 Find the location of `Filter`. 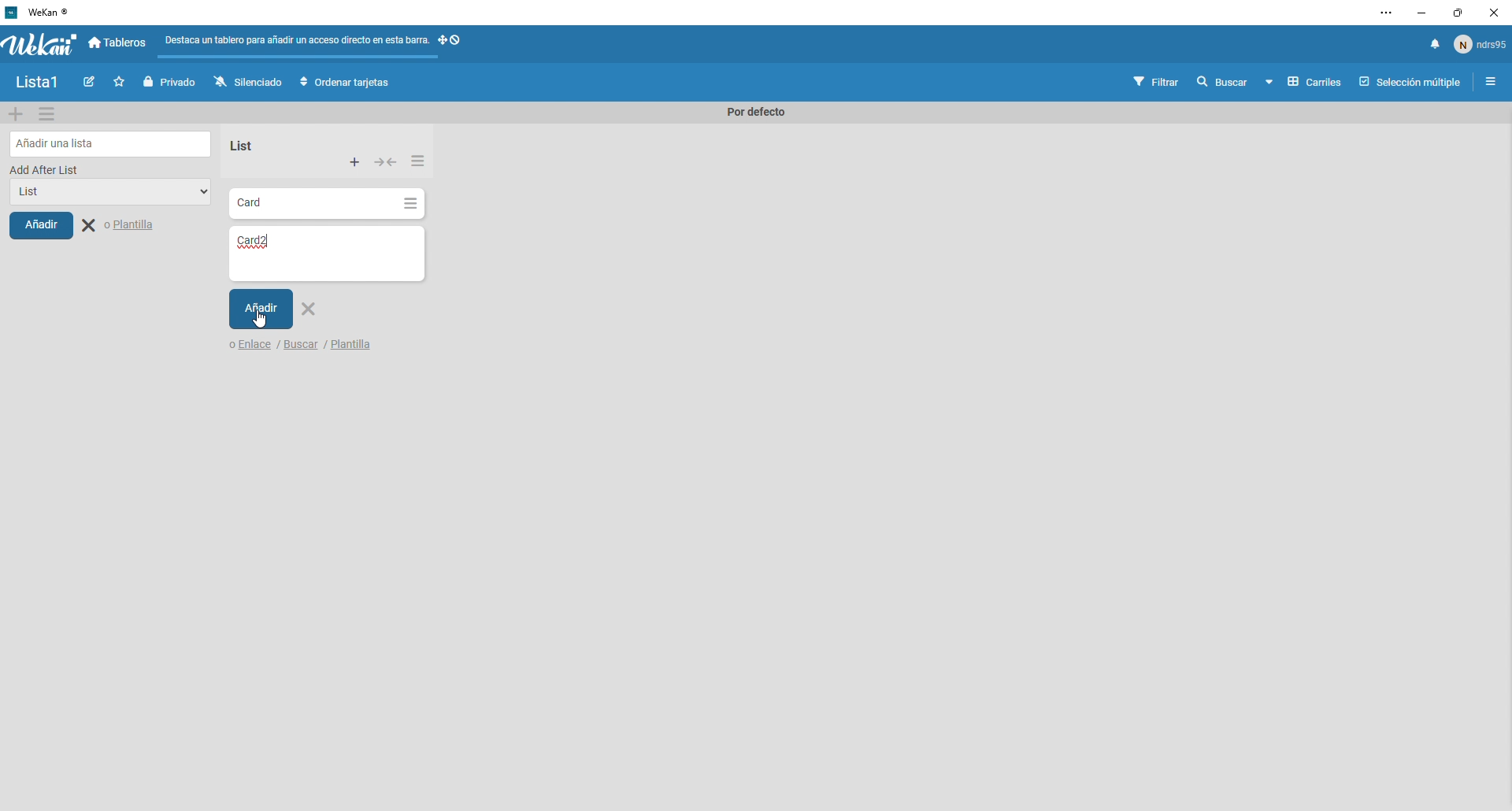

Filter is located at coordinates (1157, 83).